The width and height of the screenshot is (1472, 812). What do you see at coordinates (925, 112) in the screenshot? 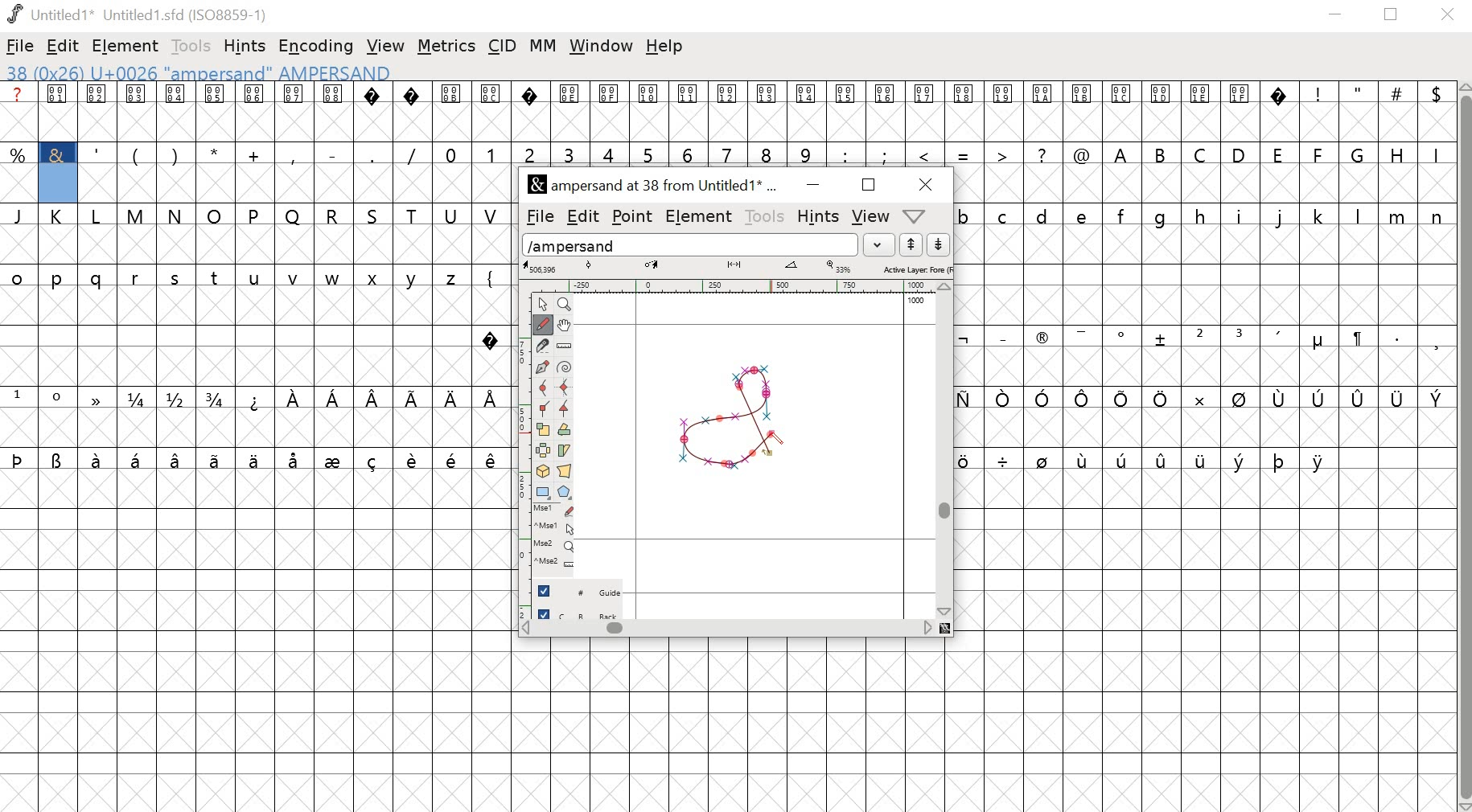
I see `0017` at bounding box center [925, 112].